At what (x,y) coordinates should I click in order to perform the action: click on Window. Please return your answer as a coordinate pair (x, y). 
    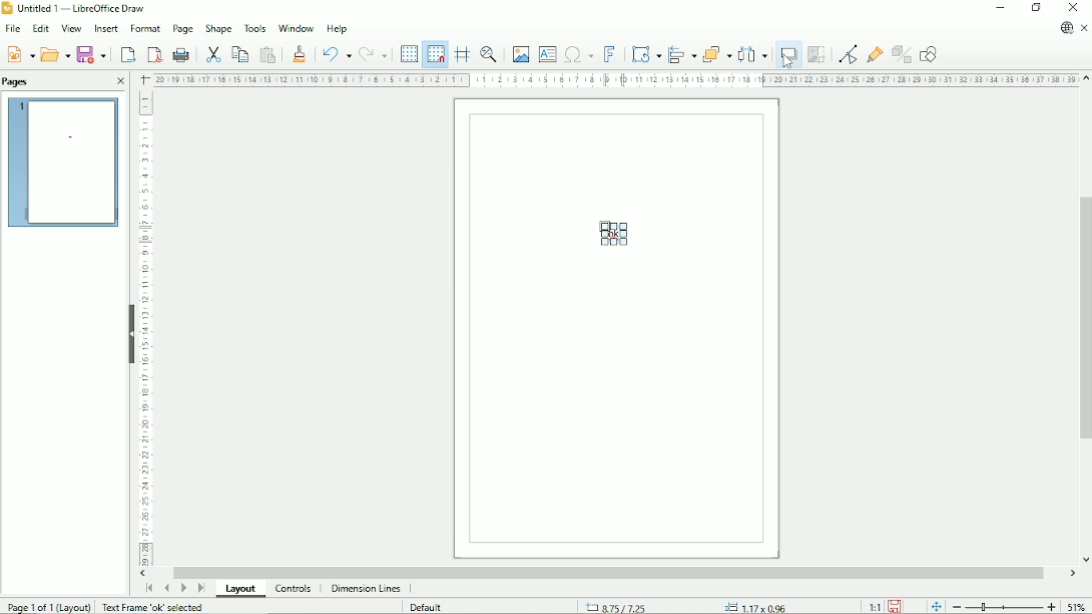
    Looking at the image, I should click on (295, 27).